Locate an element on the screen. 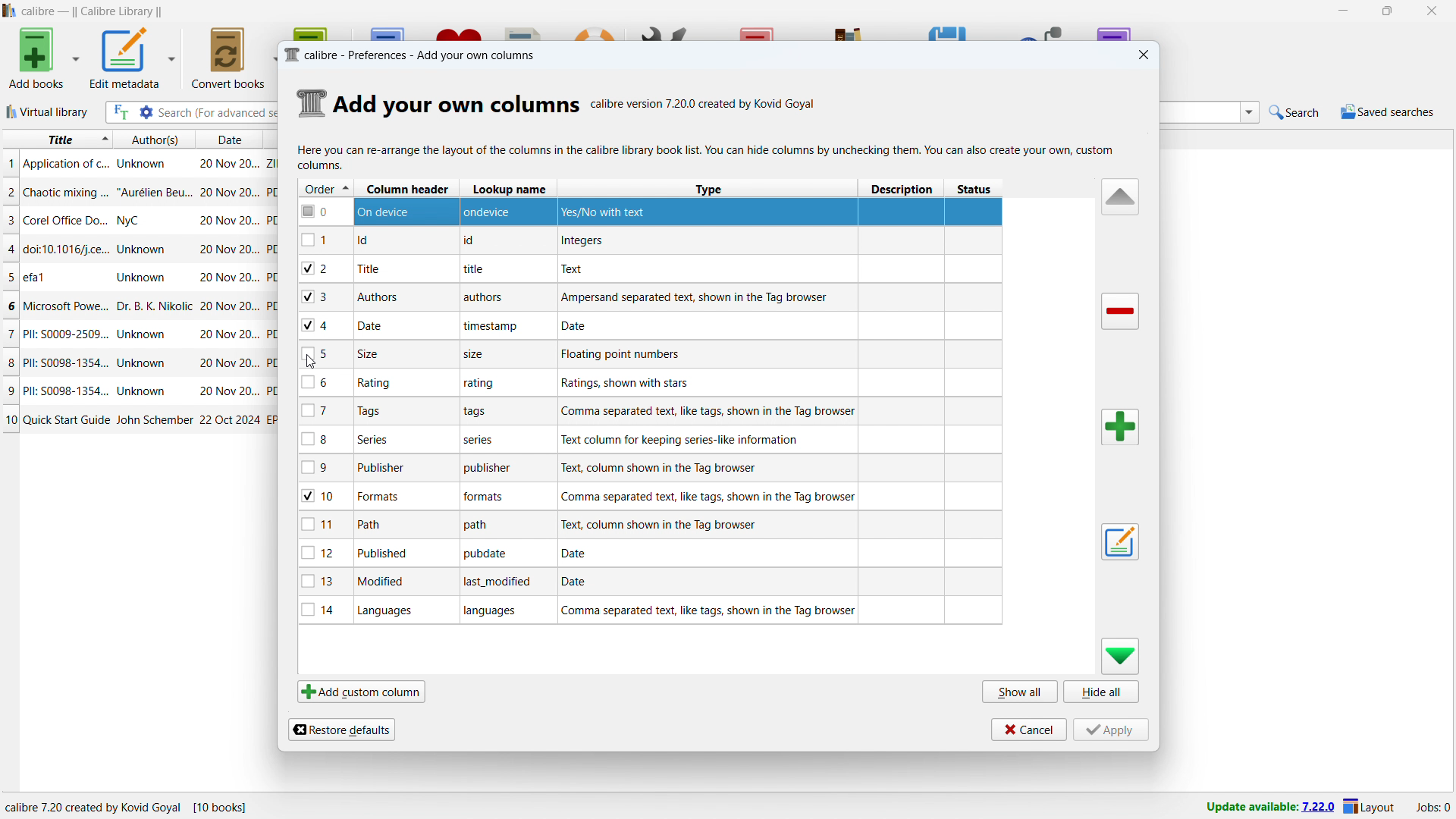 This screenshot has height=819, width=1456. 0 is located at coordinates (323, 212).